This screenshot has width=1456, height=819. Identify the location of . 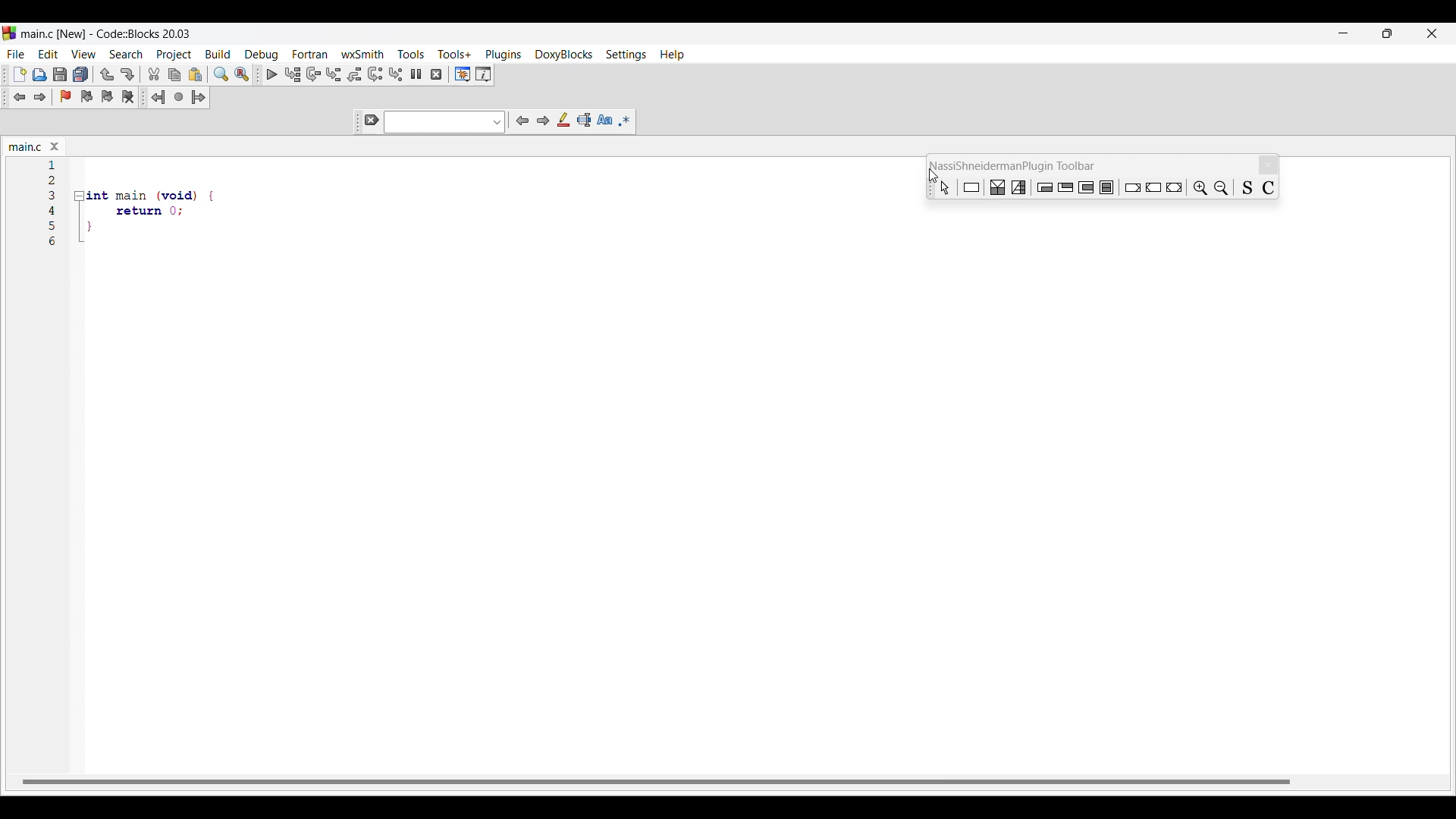
(1046, 187).